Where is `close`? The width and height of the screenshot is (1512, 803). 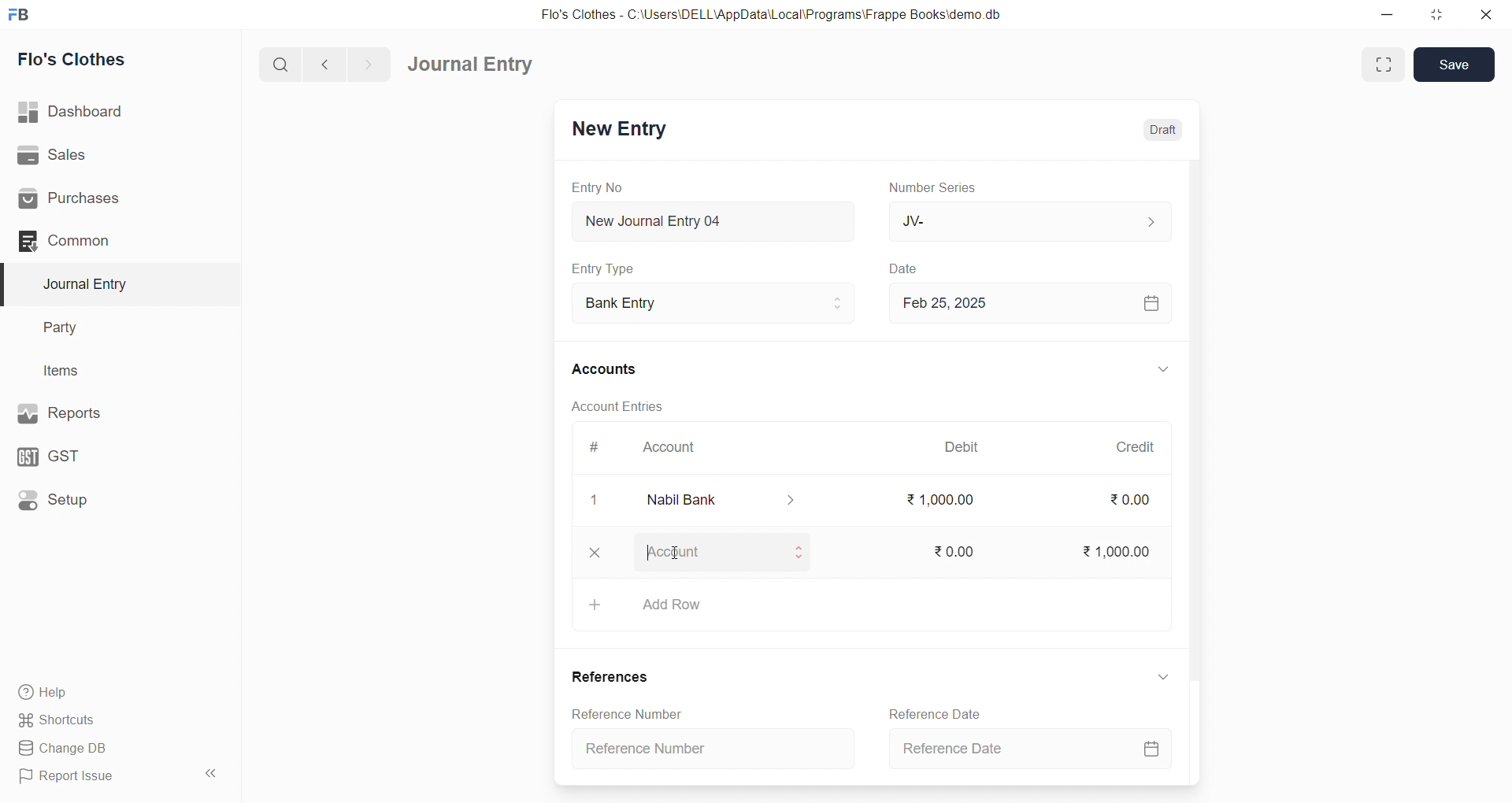
close is located at coordinates (595, 553).